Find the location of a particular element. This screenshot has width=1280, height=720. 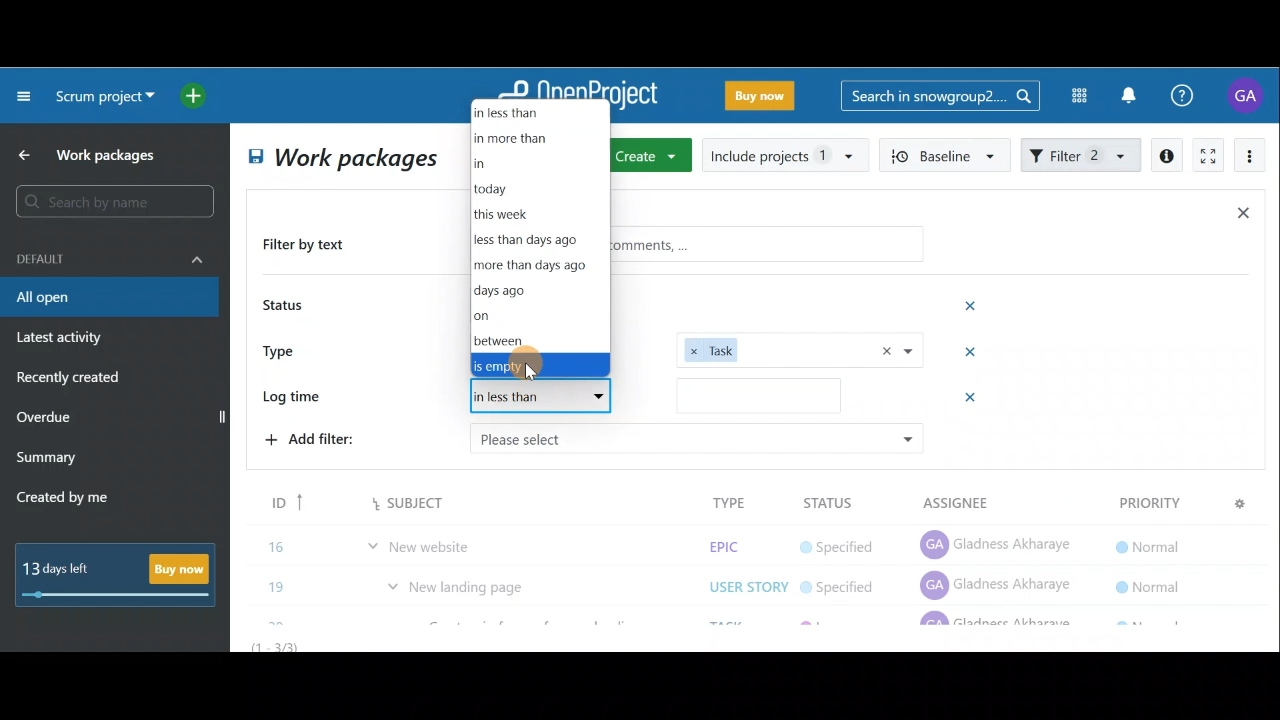

Default is located at coordinates (110, 257).